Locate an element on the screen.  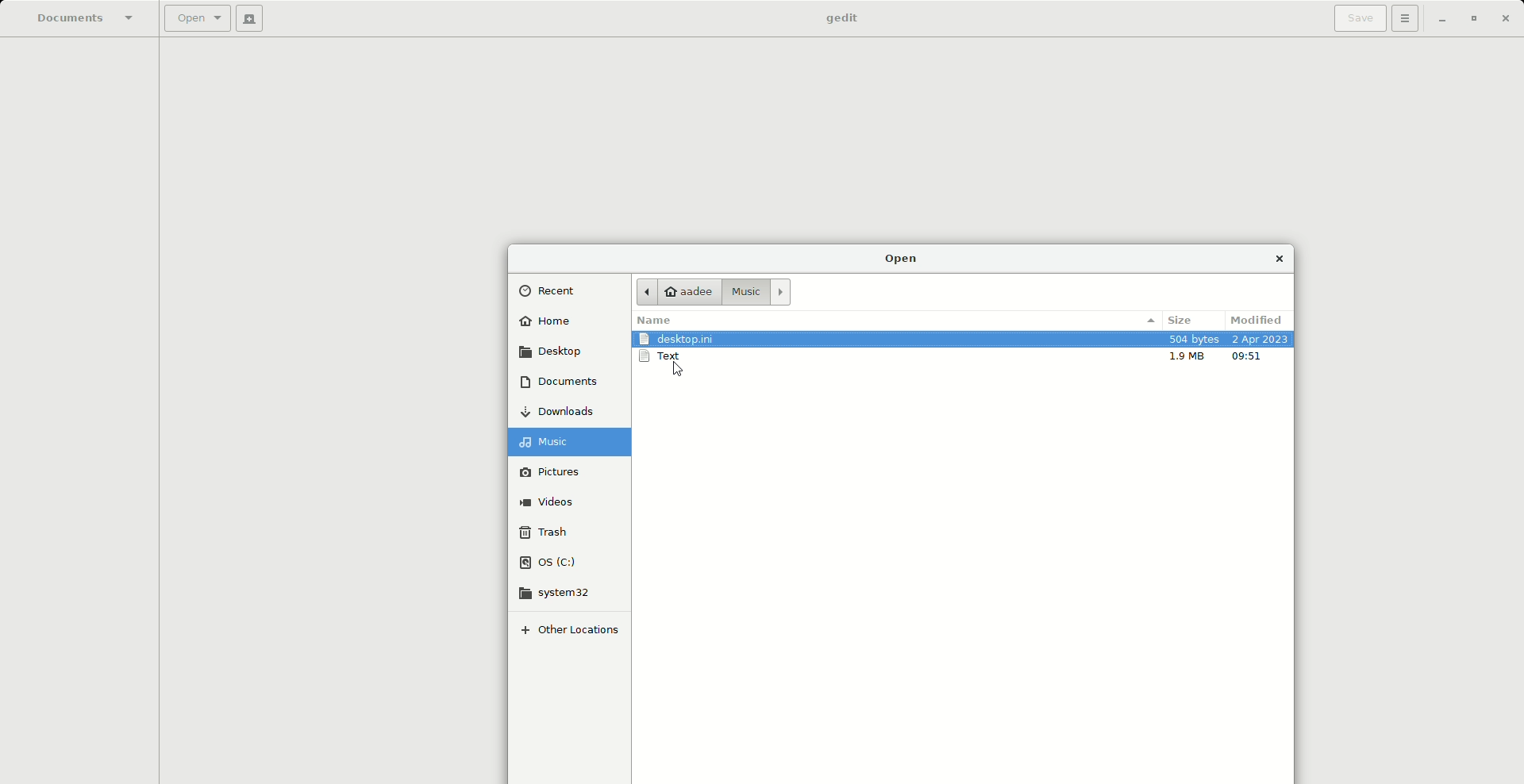
date is located at coordinates (1260, 340).